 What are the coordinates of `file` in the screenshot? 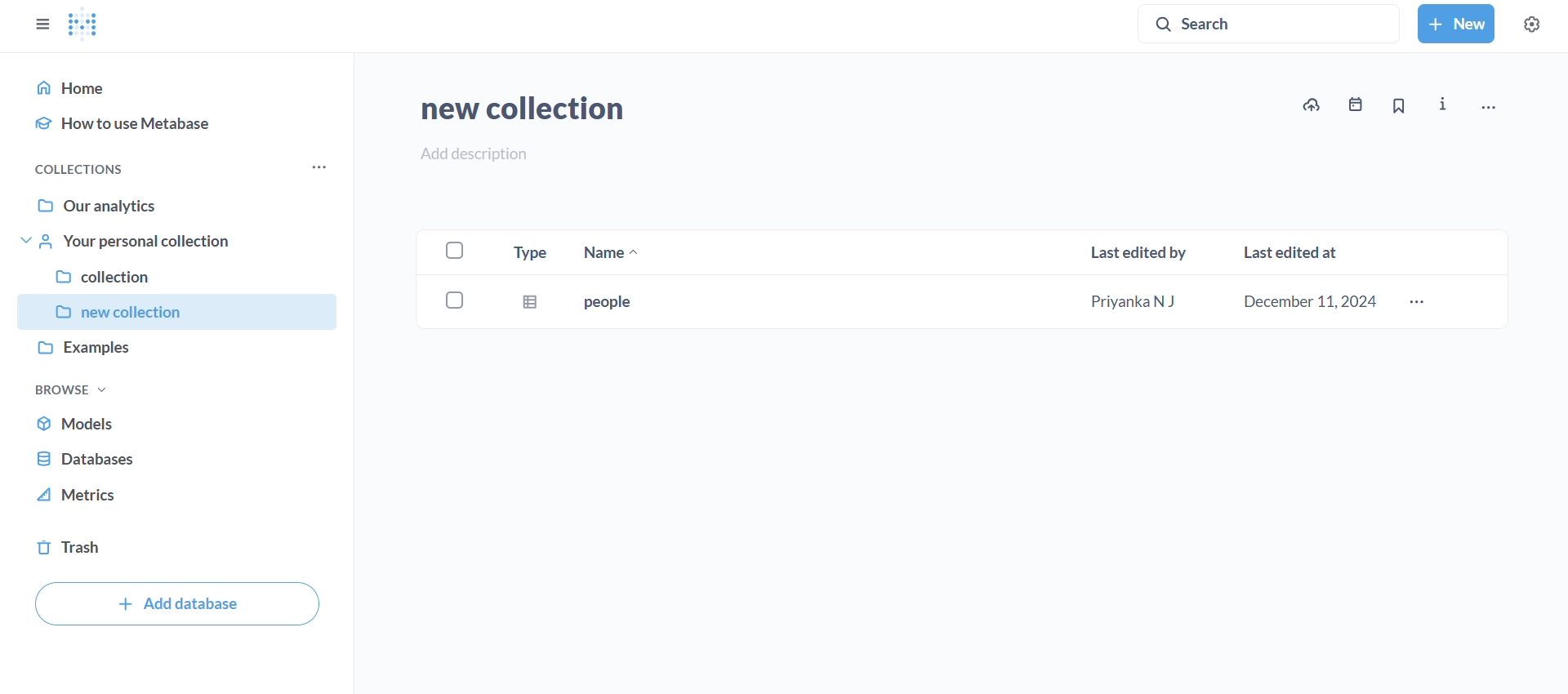 It's located at (529, 305).